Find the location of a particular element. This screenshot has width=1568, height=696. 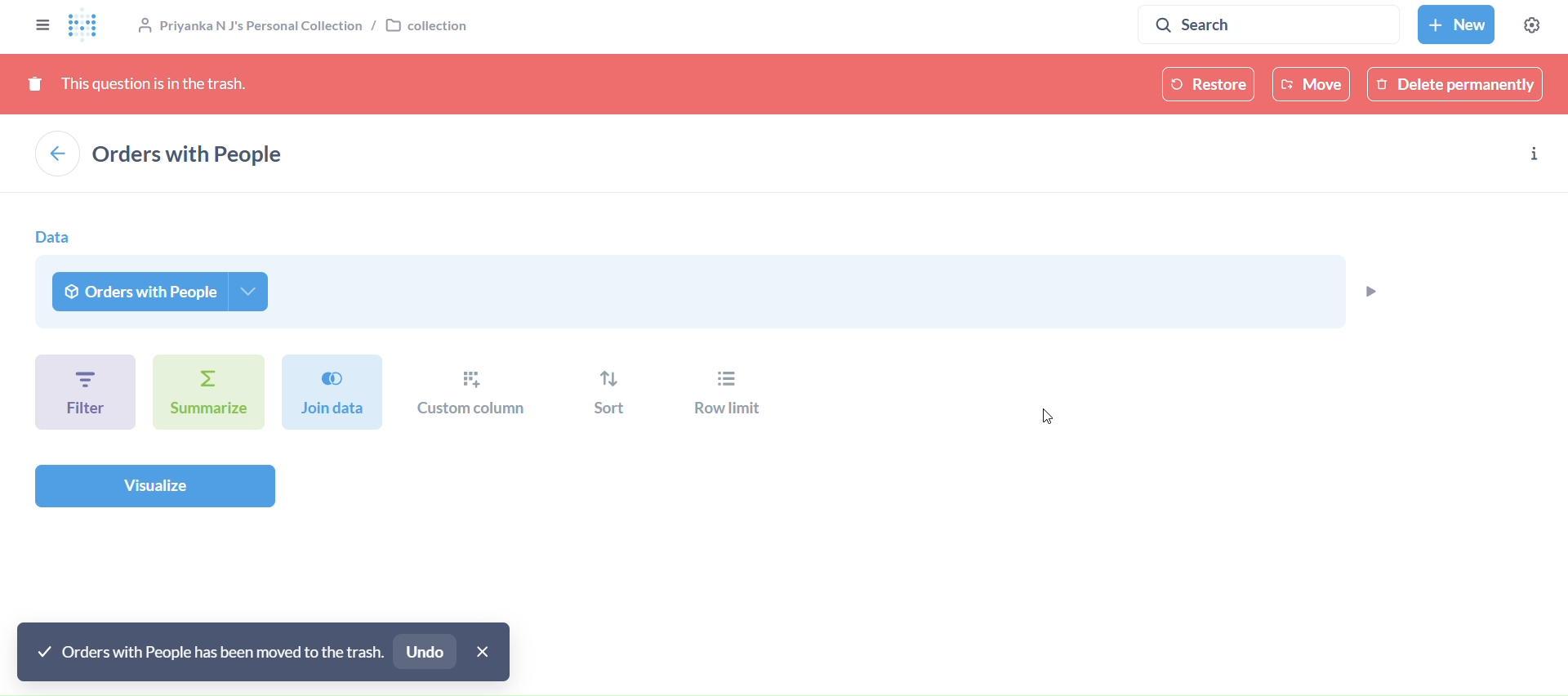

cursor is located at coordinates (1051, 414).